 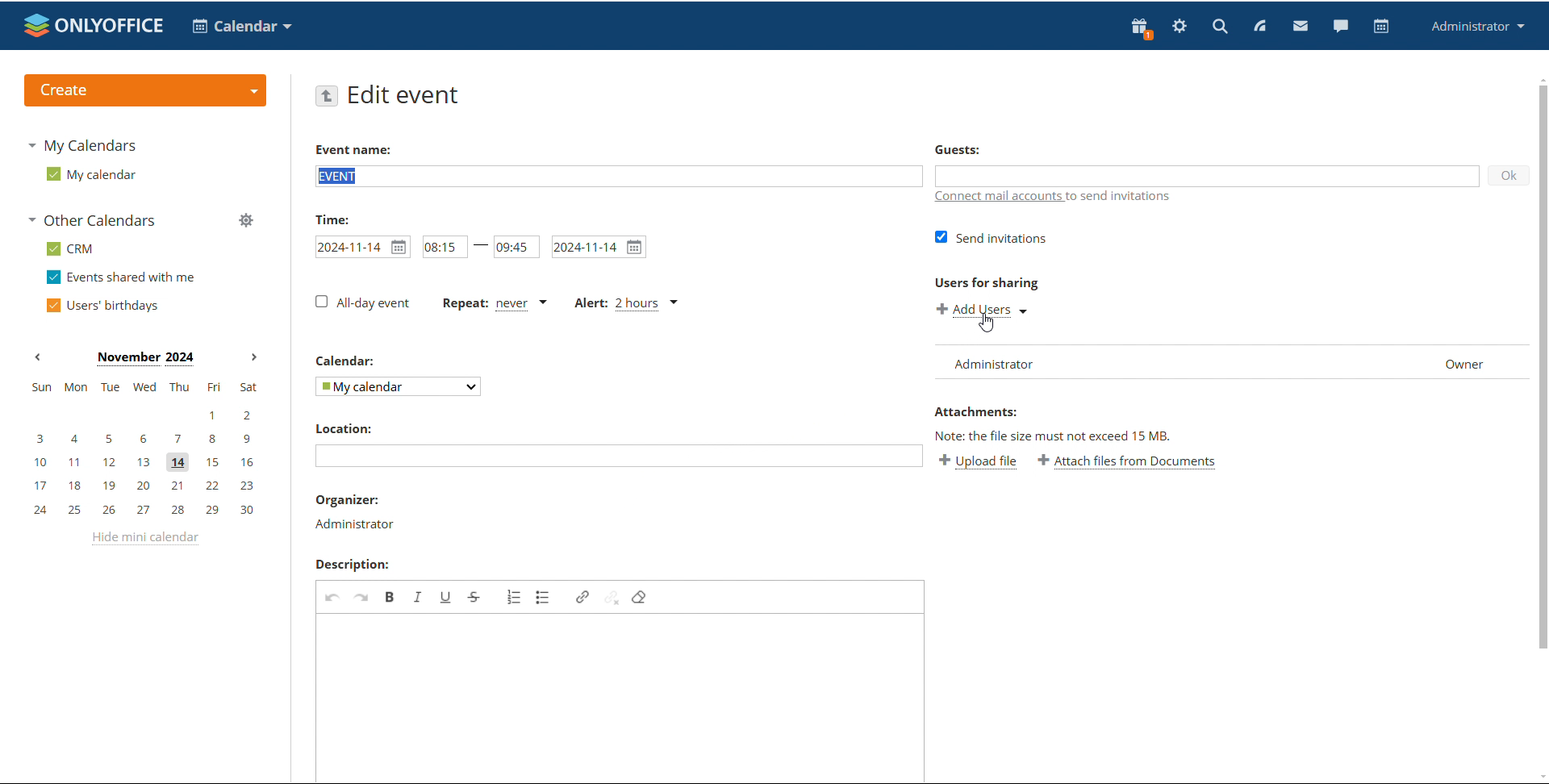 What do you see at coordinates (987, 323) in the screenshot?
I see `cursor` at bounding box center [987, 323].